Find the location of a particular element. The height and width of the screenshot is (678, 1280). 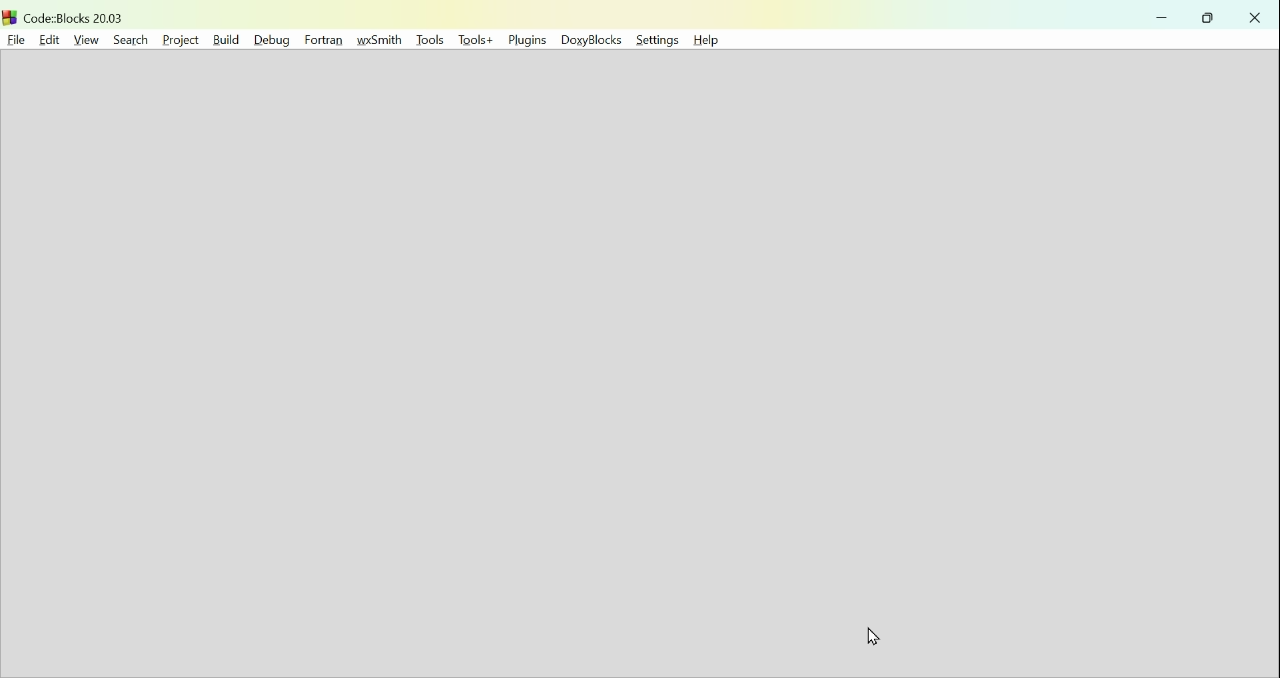

View is located at coordinates (86, 39).